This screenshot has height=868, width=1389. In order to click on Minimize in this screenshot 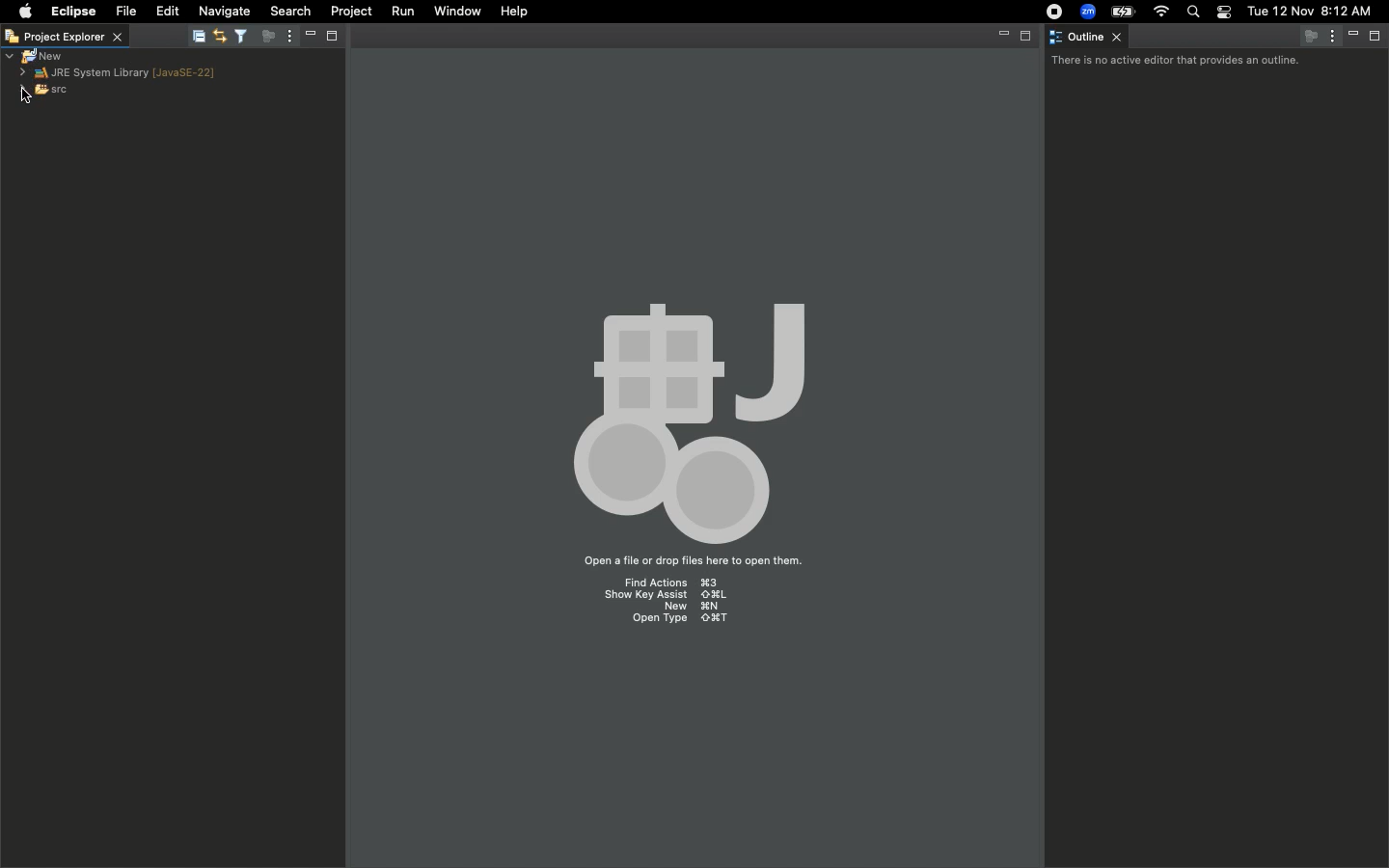, I will do `click(1000, 35)`.